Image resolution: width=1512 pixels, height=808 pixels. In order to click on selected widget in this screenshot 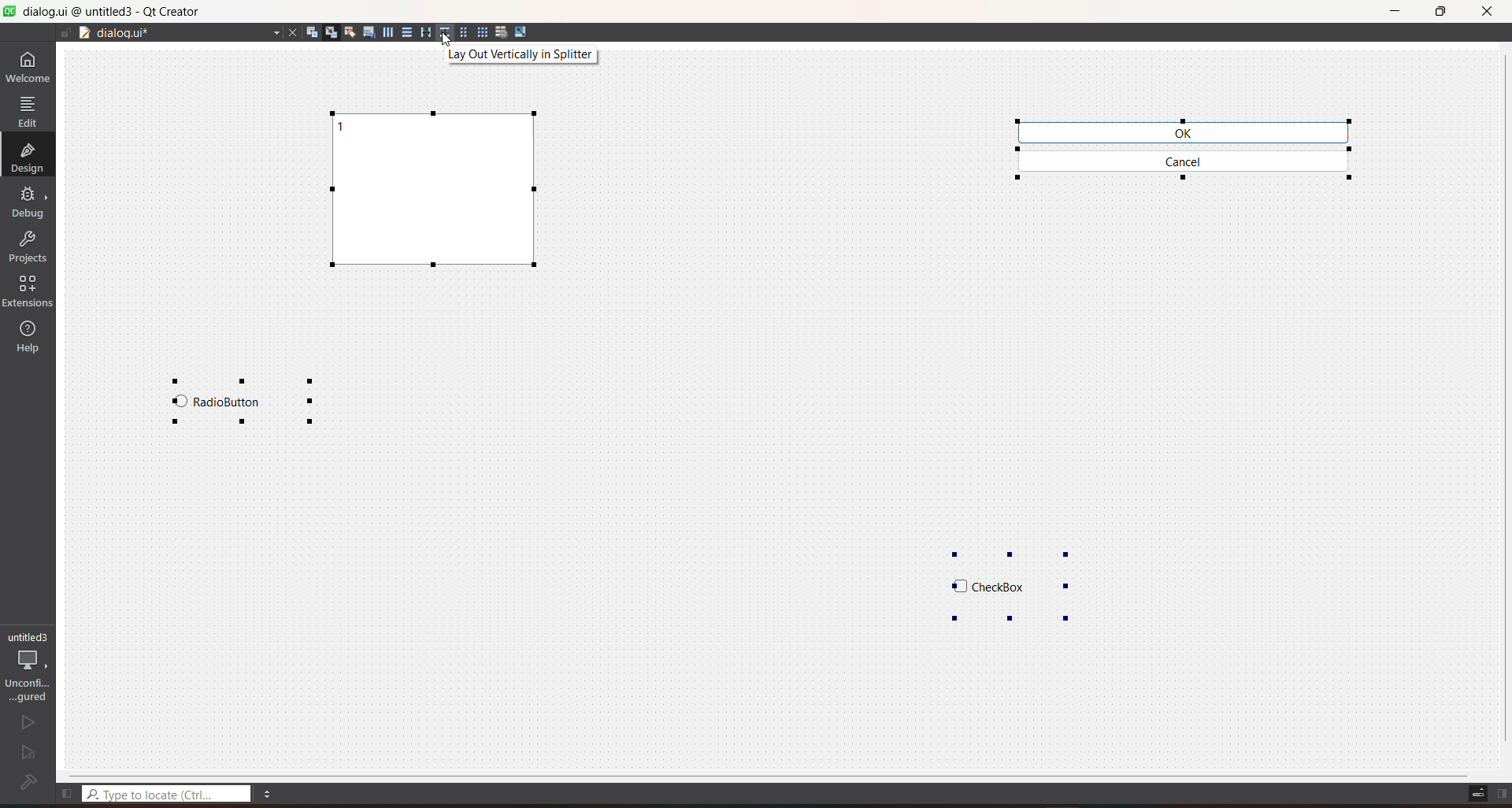, I will do `click(245, 404)`.